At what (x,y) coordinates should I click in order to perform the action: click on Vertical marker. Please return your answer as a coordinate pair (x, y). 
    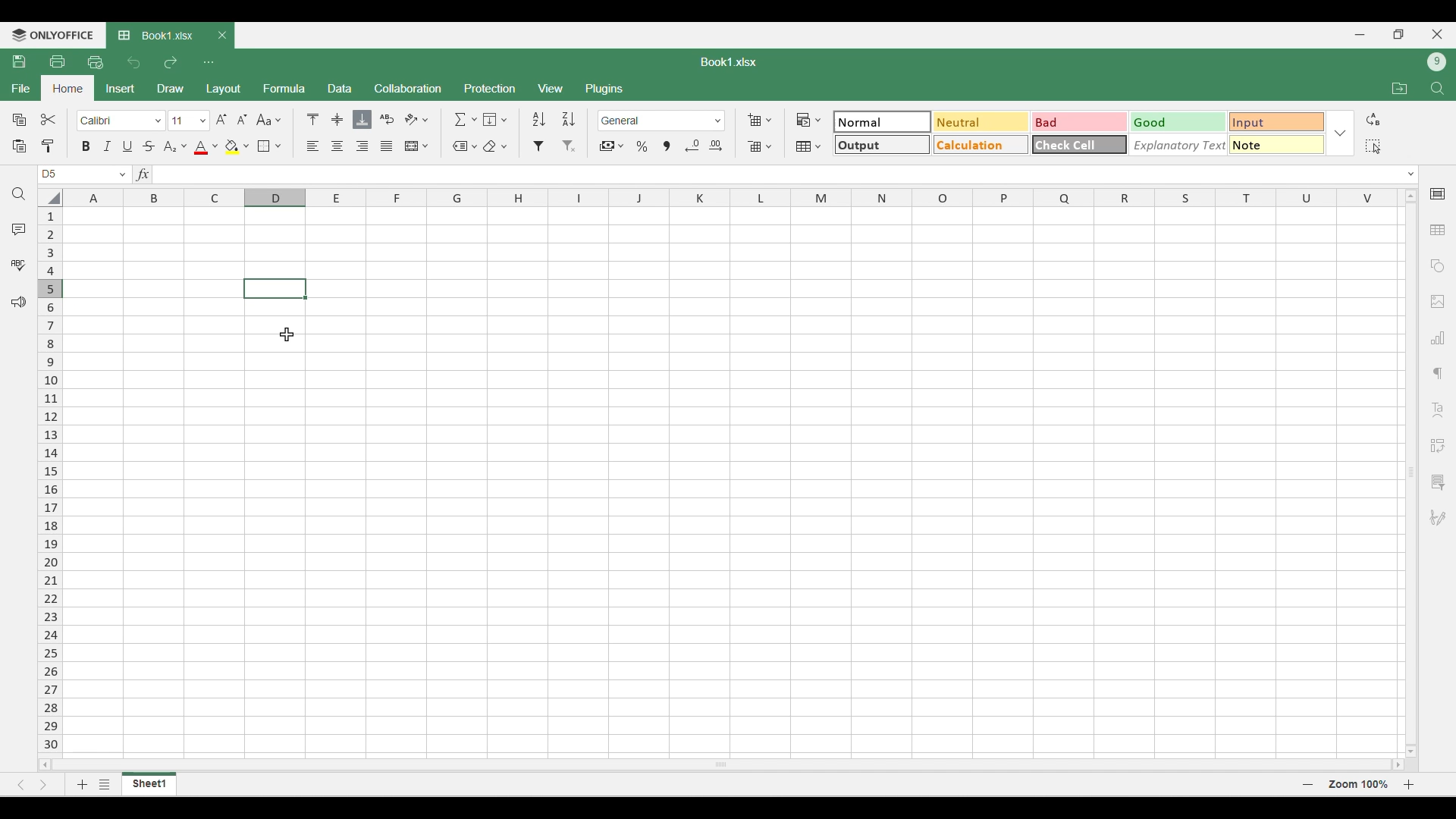
    Looking at the image, I should click on (51, 482).